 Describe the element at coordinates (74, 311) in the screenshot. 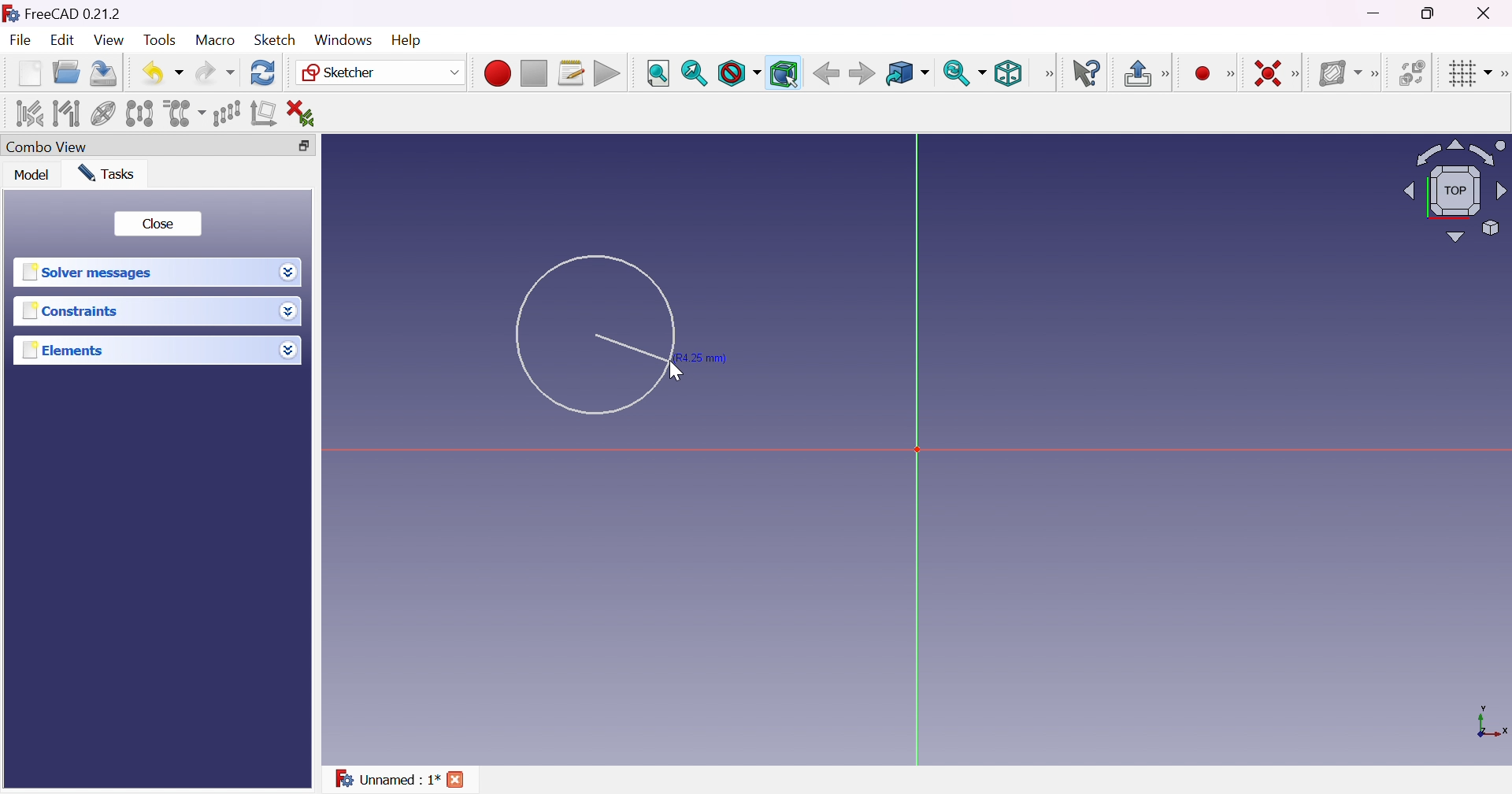

I see `Constraints` at that location.